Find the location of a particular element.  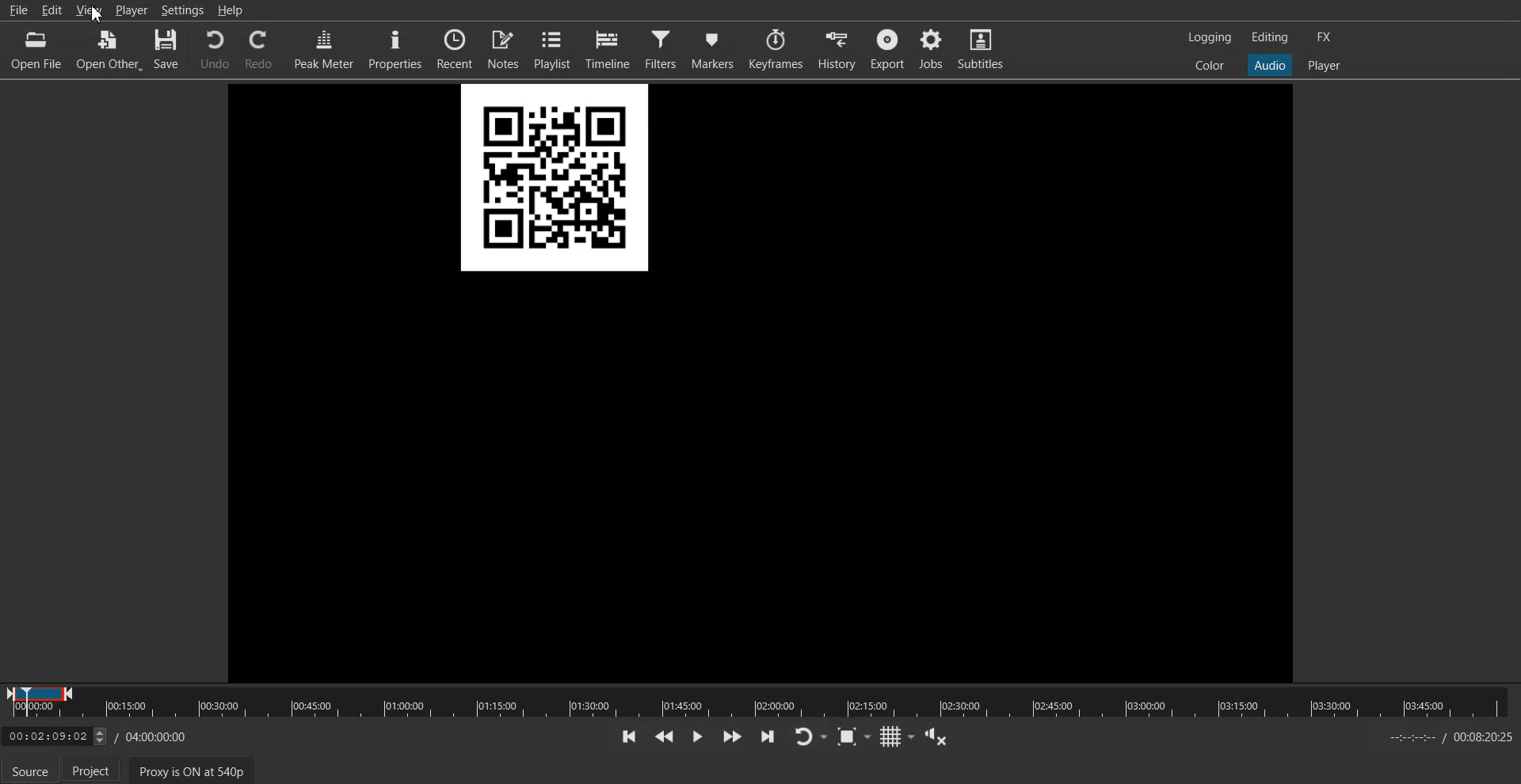

Project is located at coordinates (90, 770).